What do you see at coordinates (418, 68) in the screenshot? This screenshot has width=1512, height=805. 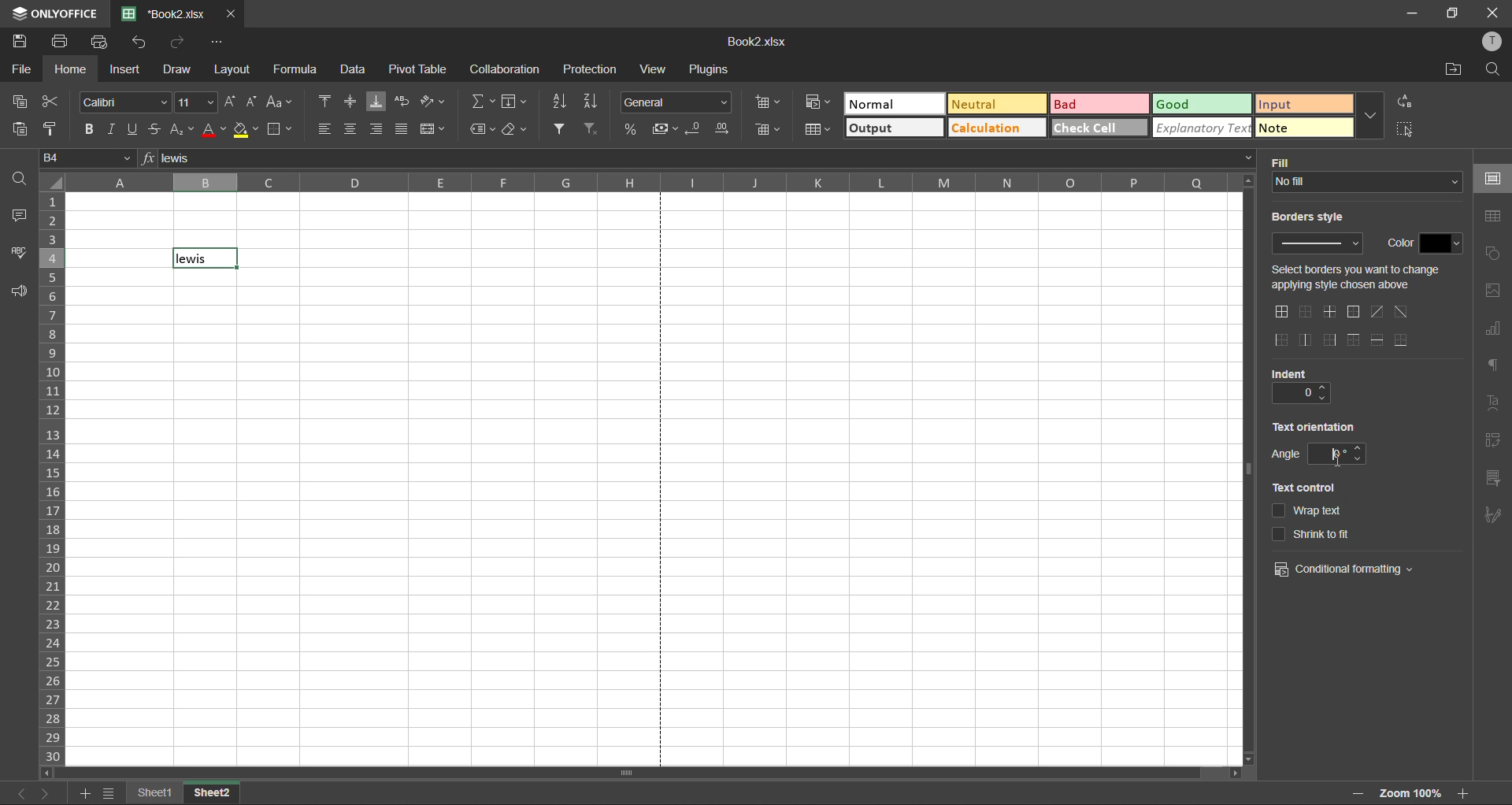 I see `pivot table` at bounding box center [418, 68].